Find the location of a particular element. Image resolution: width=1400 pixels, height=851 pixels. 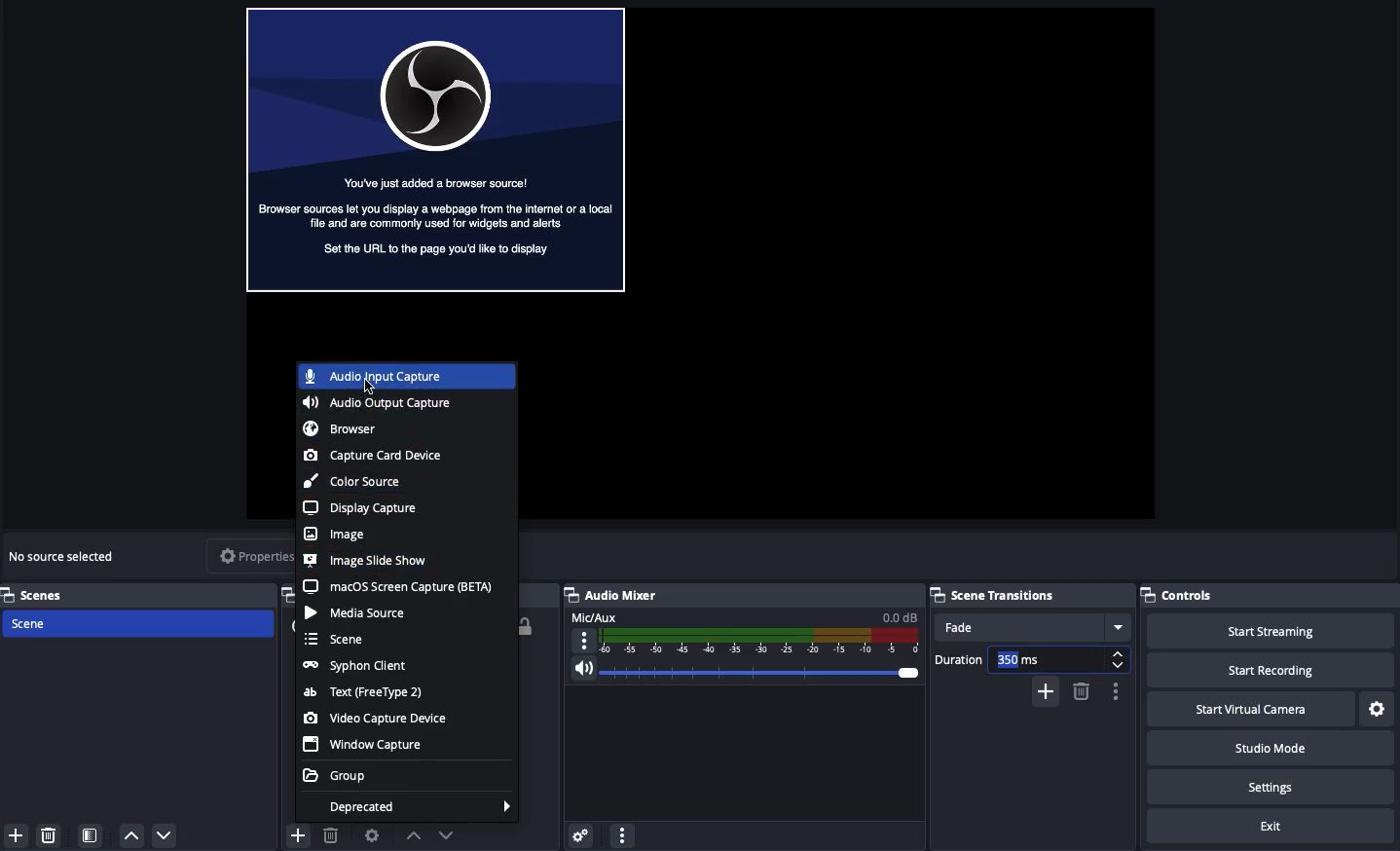

Display capture is located at coordinates (365, 507).